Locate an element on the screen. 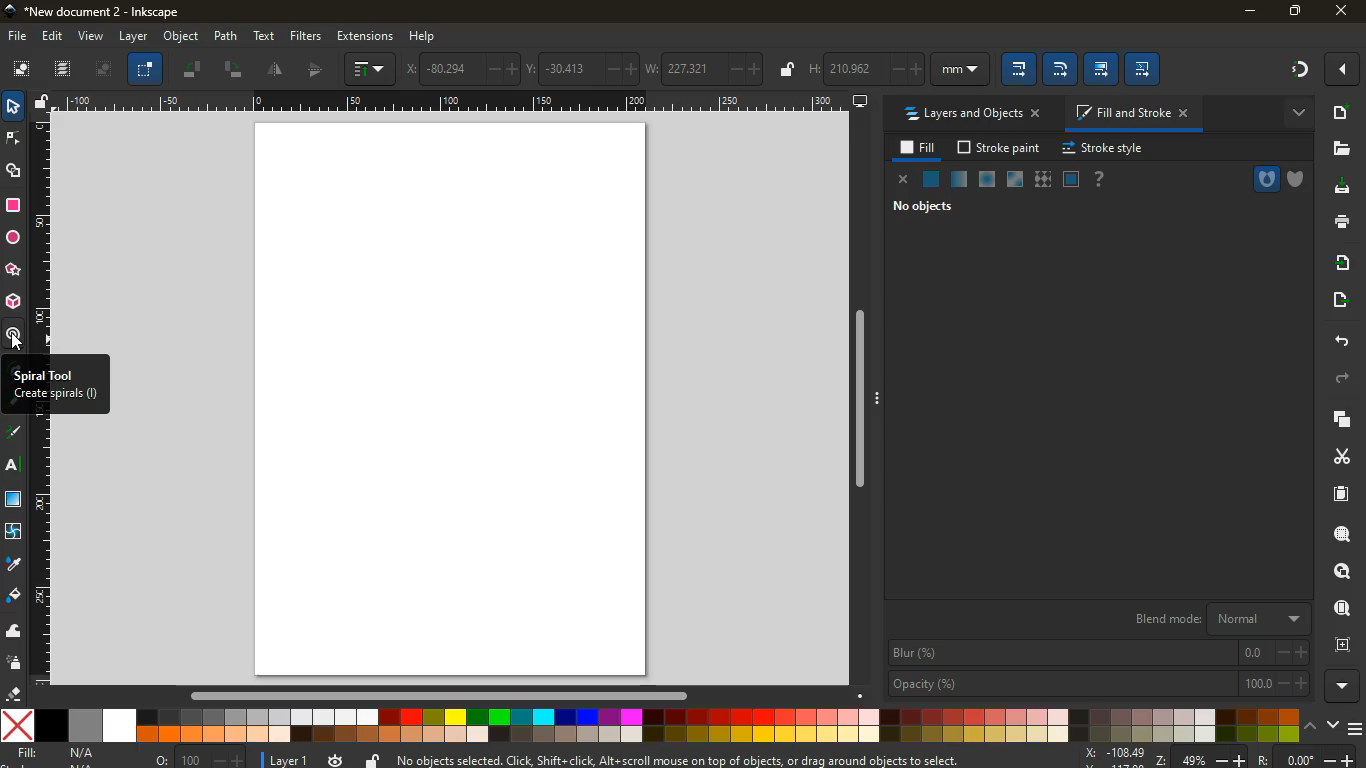 The width and height of the screenshot is (1366, 768). description is located at coordinates (51, 386).